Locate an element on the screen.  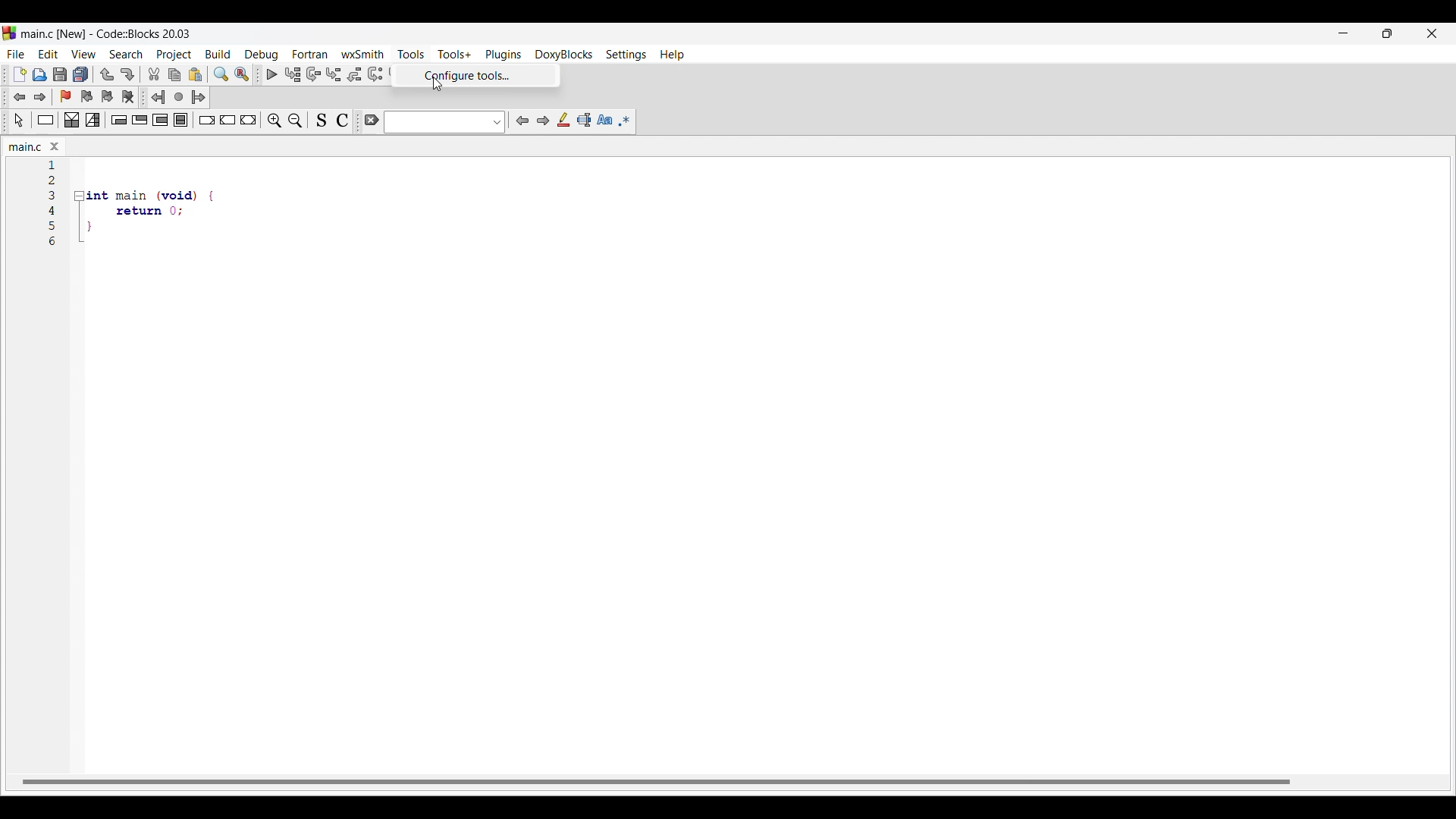
Match case is located at coordinates (604, 120).